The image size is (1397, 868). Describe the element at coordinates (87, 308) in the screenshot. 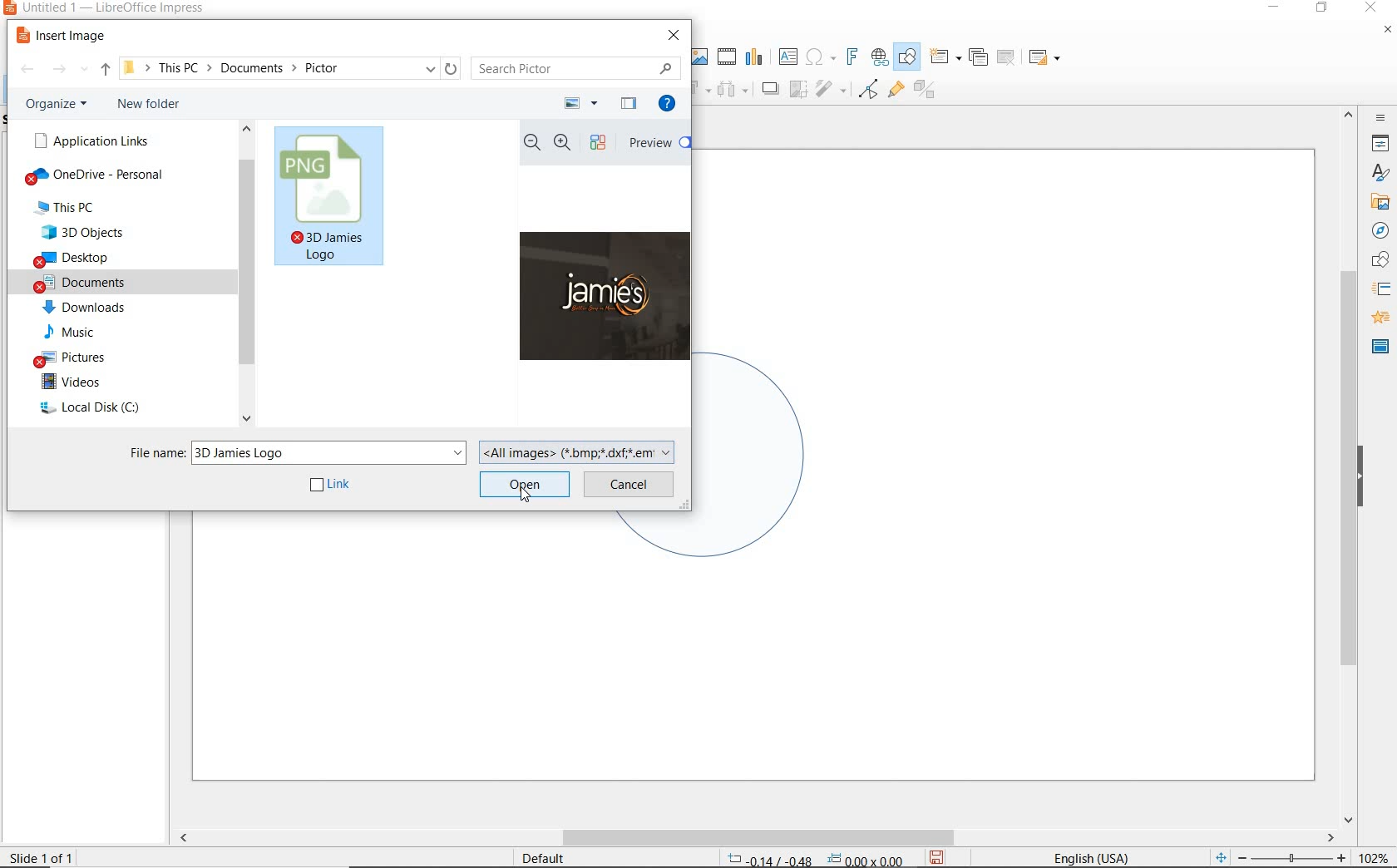

I see `downloads` at that location.